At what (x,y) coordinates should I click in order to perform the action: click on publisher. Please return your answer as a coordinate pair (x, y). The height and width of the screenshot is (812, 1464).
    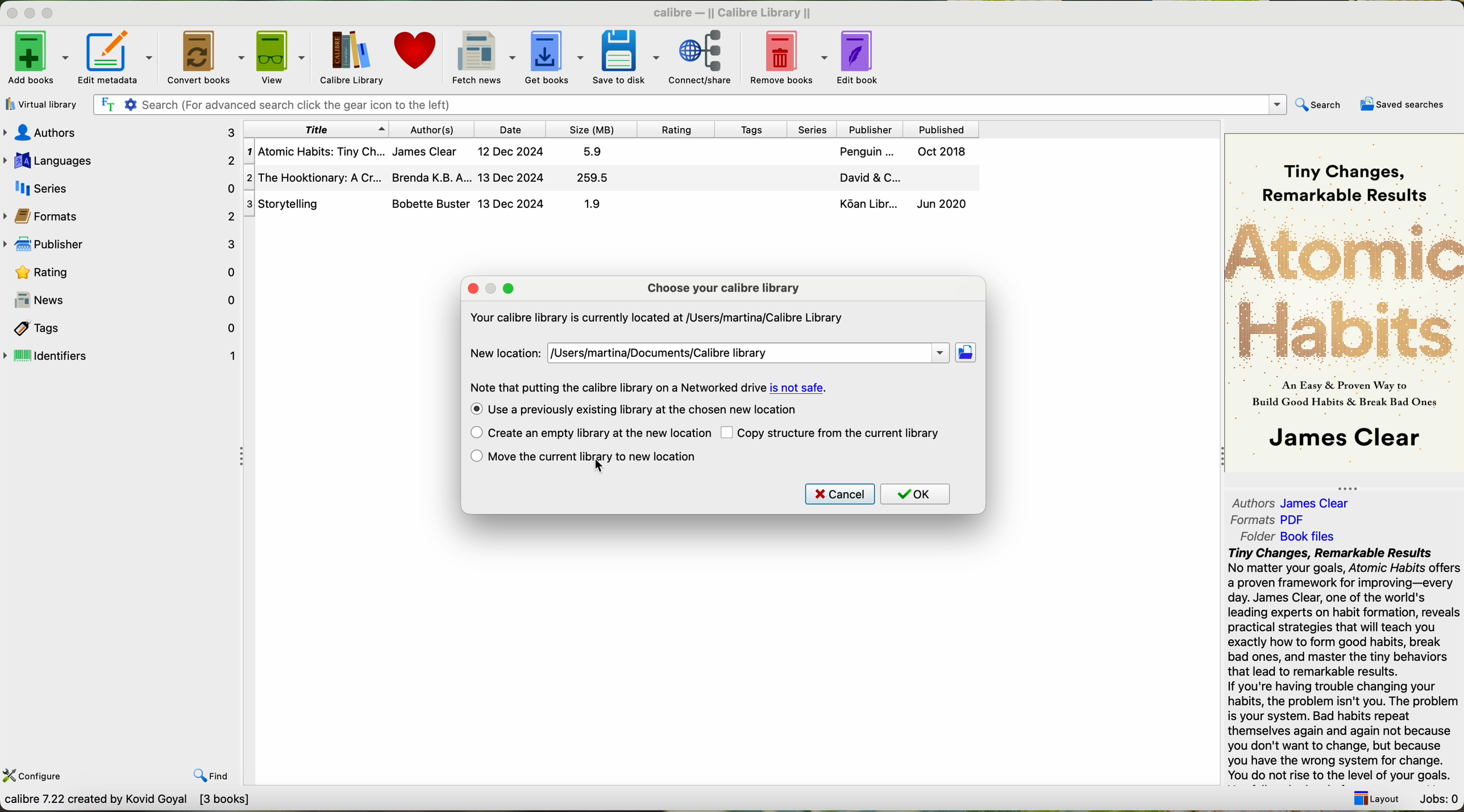
    Looking at the image, I should click on (122, 245).